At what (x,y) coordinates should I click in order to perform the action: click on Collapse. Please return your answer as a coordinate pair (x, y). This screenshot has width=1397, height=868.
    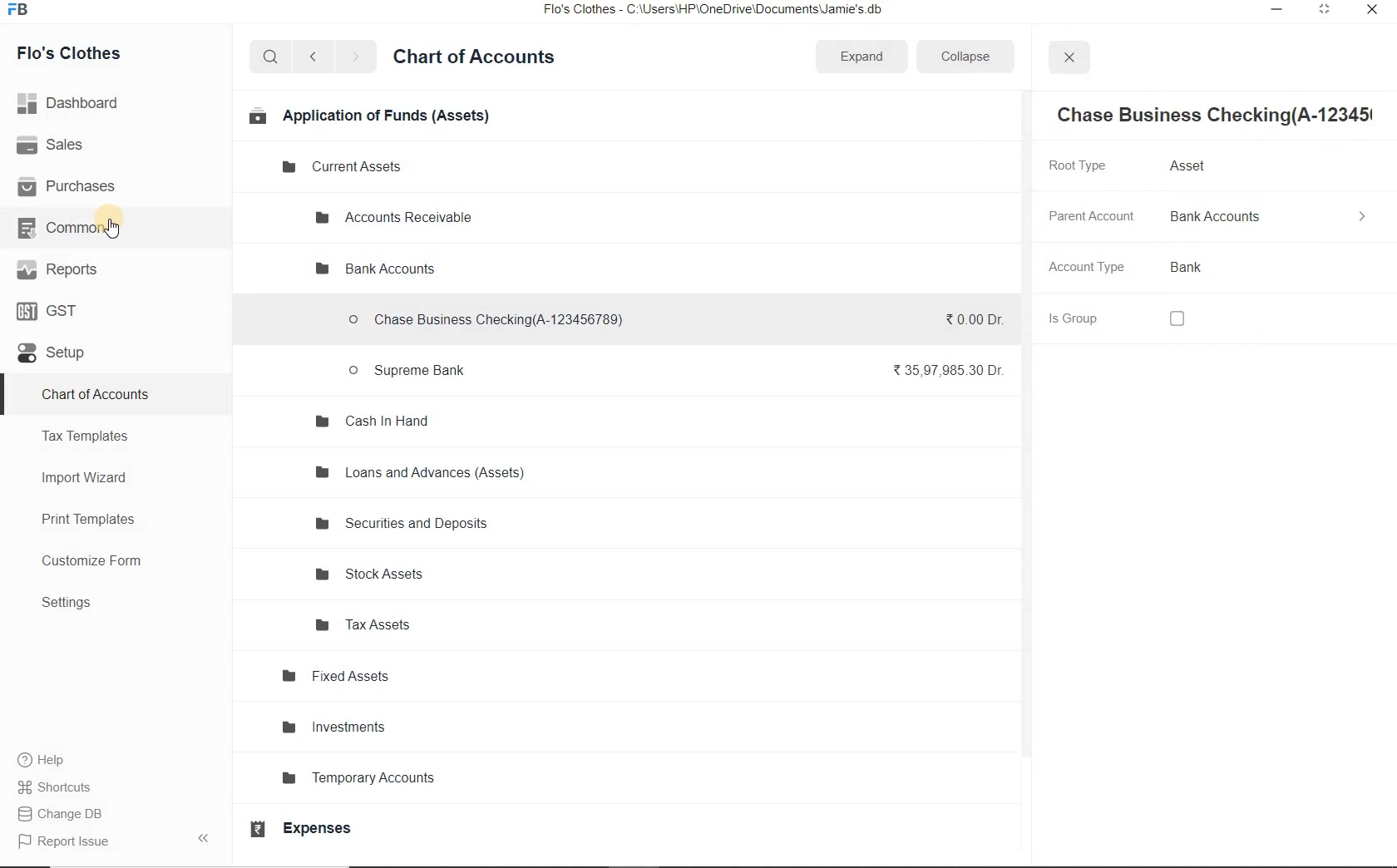
    Looking at the image, I should click on (963, 57).